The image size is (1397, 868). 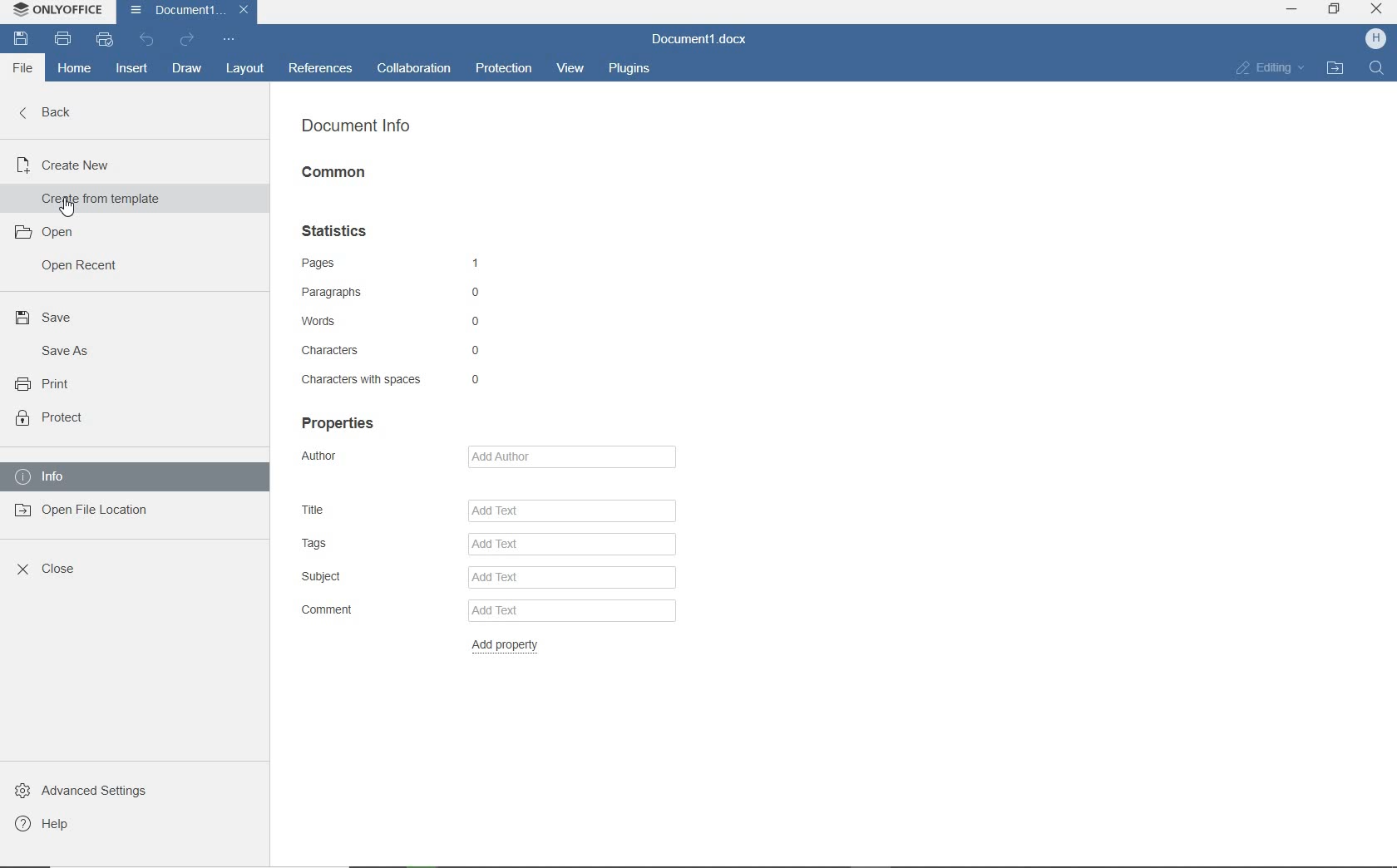 What do you see at coordinates (45, 112) in the screenshot?
I see `back` at bounding box center [45, 112].